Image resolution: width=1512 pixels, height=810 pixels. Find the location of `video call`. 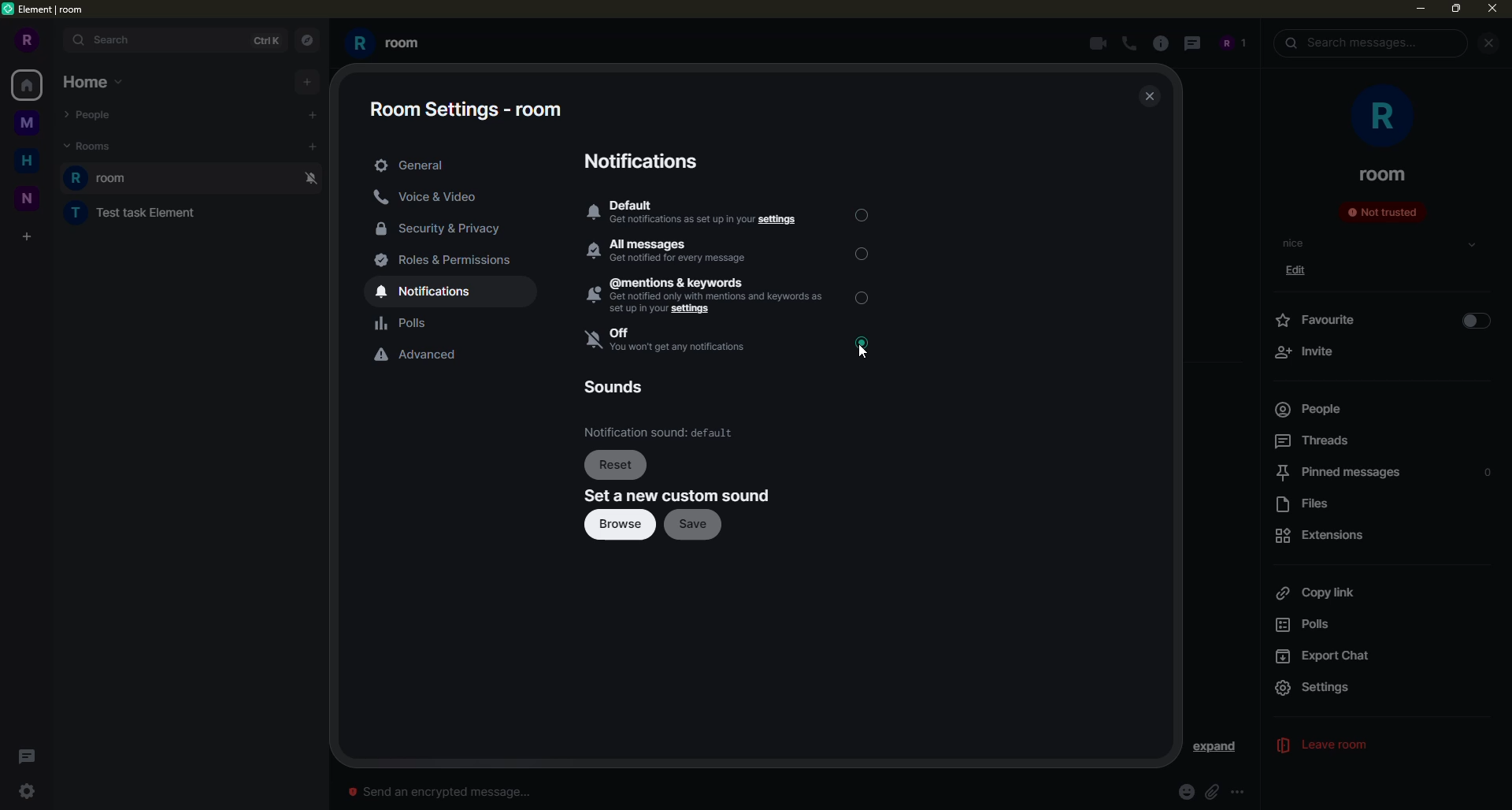

video call is located at coordinates (1094, 43).